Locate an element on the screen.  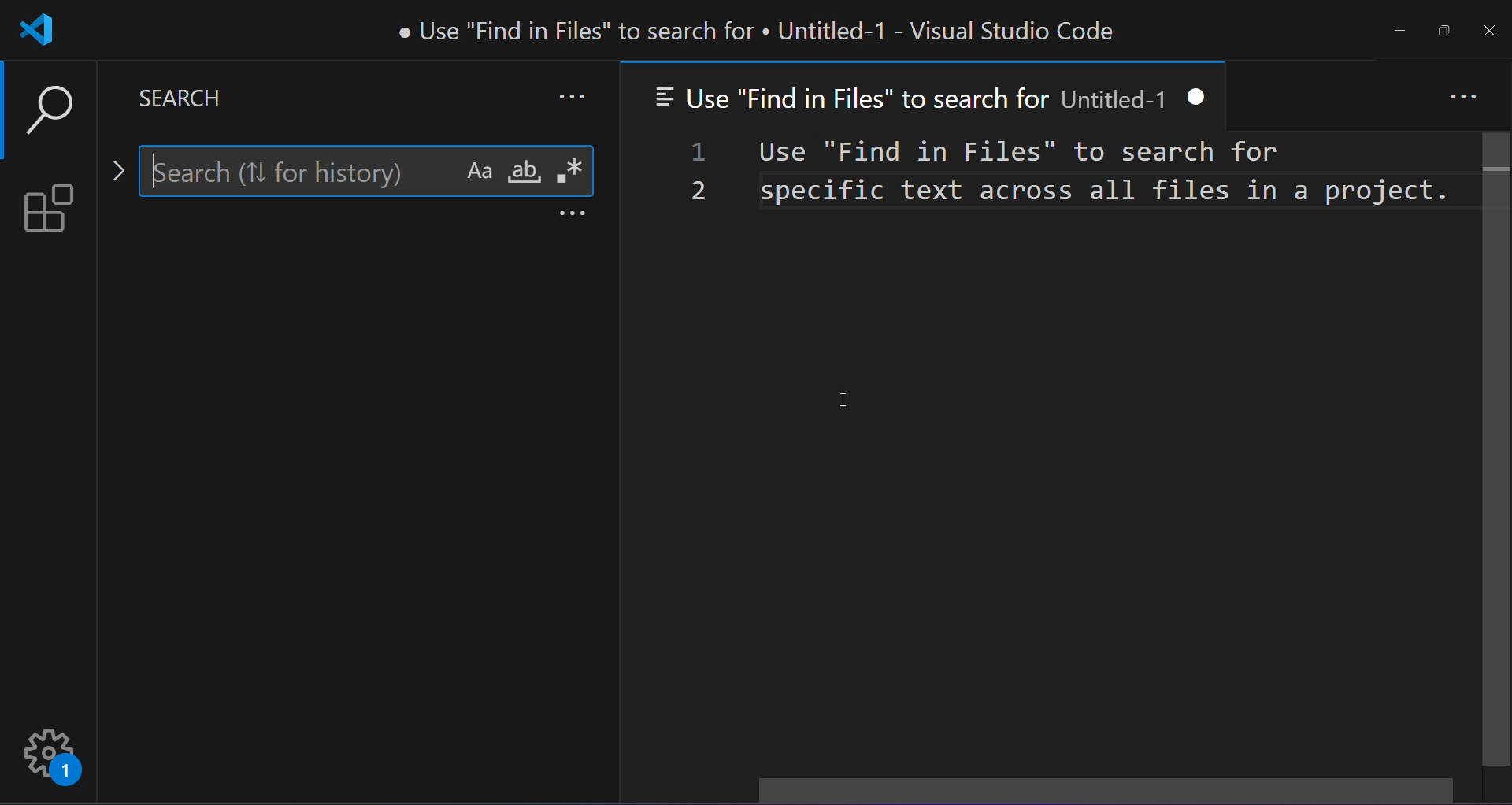
whole word is located at coordinates (523, 170).